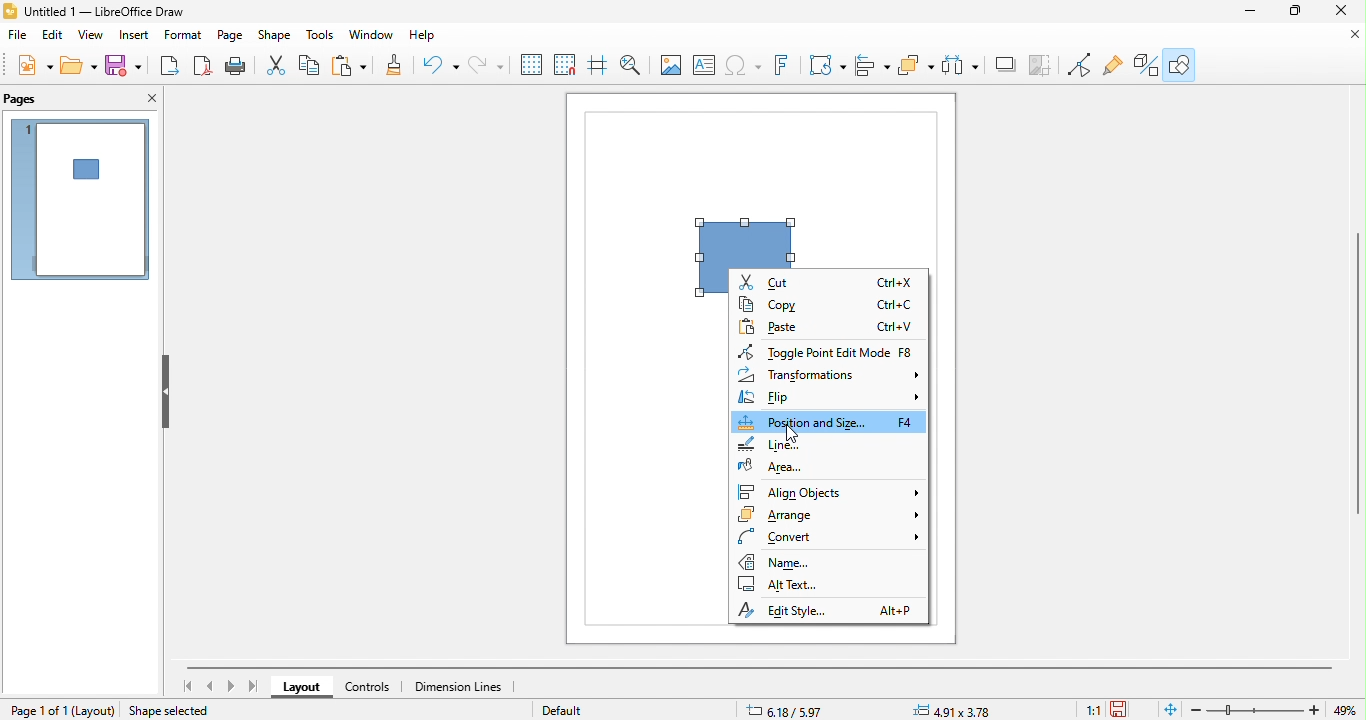 This screenshot has width=1366, height=720. Describe the element at coordinates (1257, 710) in the screenshot. I see `zoom` at that location.